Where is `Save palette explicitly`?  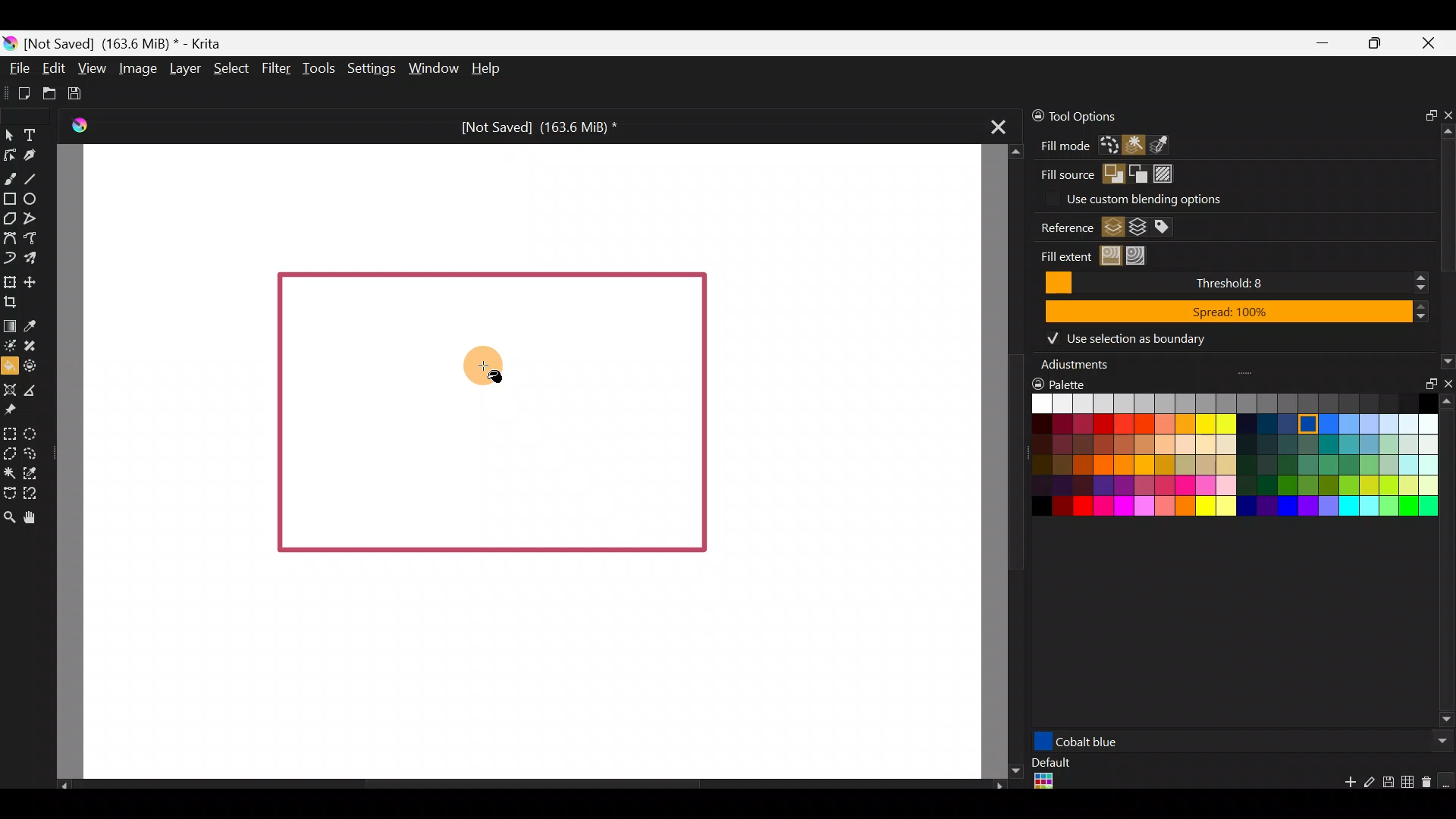 Save palette explicitly is located at coordinates (1387, 783).